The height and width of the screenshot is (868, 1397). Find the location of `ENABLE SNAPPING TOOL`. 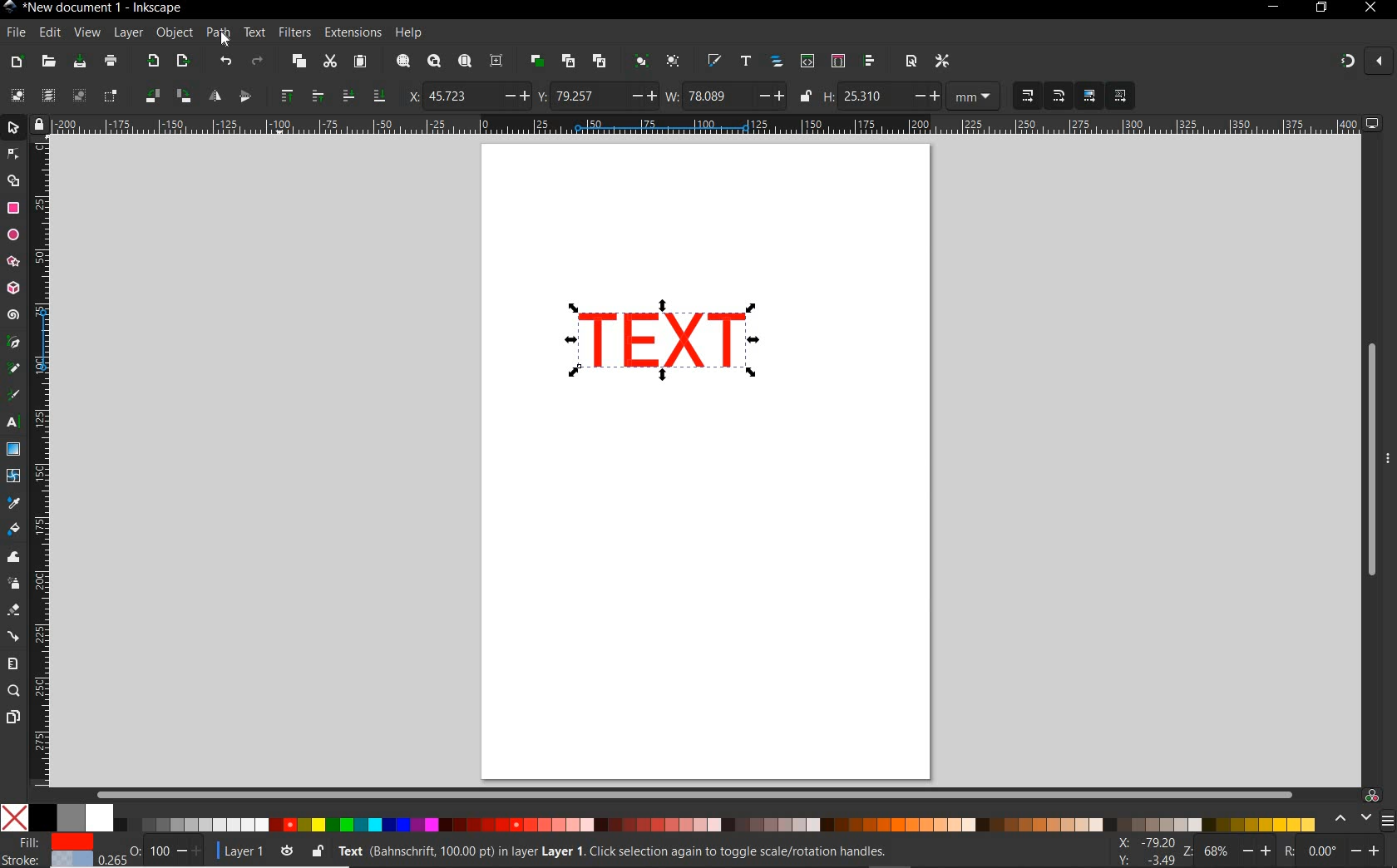

ENABLE SNAPPING TOOL is located at coordinates (1365, 61).